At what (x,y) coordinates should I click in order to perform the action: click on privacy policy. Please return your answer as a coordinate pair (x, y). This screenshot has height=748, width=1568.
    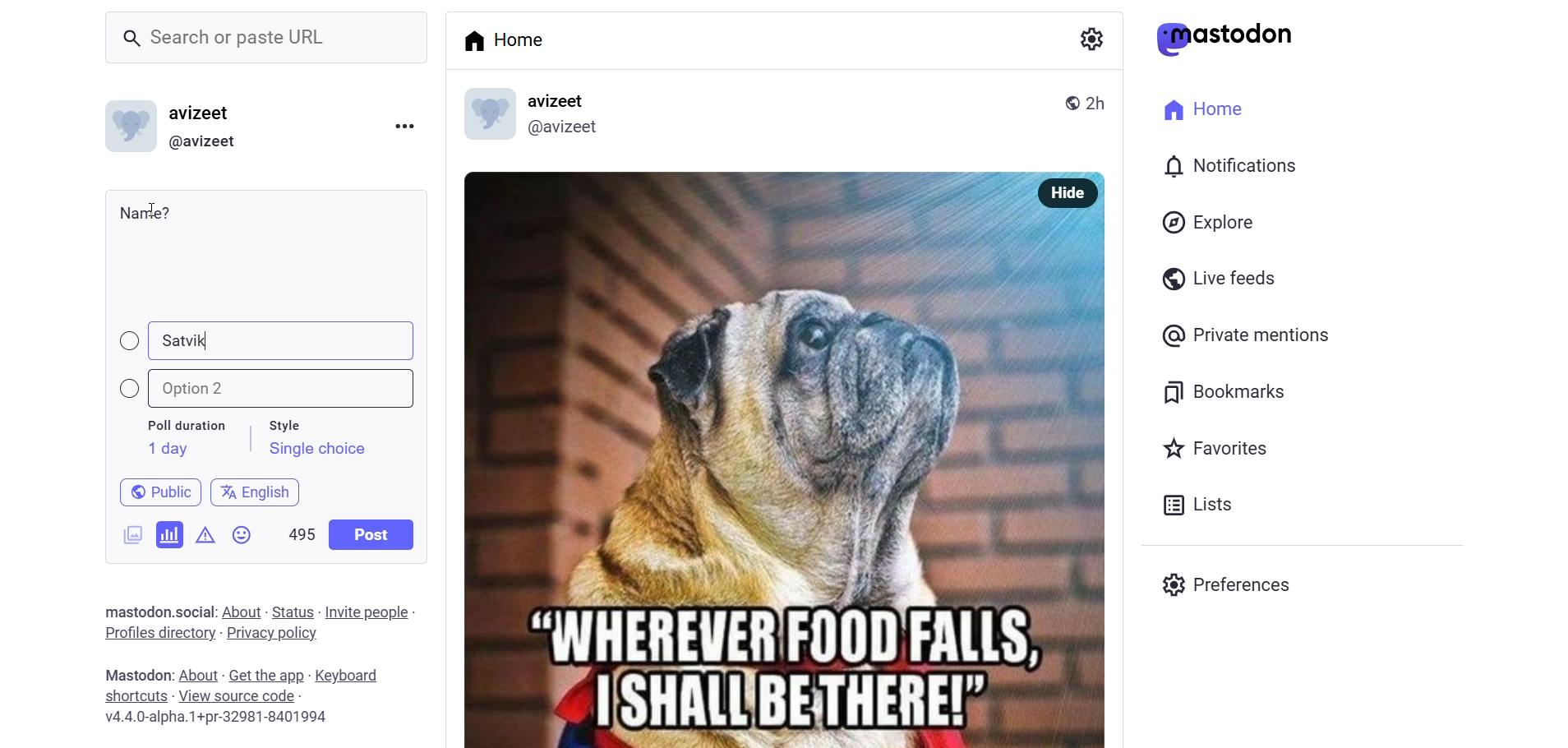
    Looking at the image, I should click on (272, 635).